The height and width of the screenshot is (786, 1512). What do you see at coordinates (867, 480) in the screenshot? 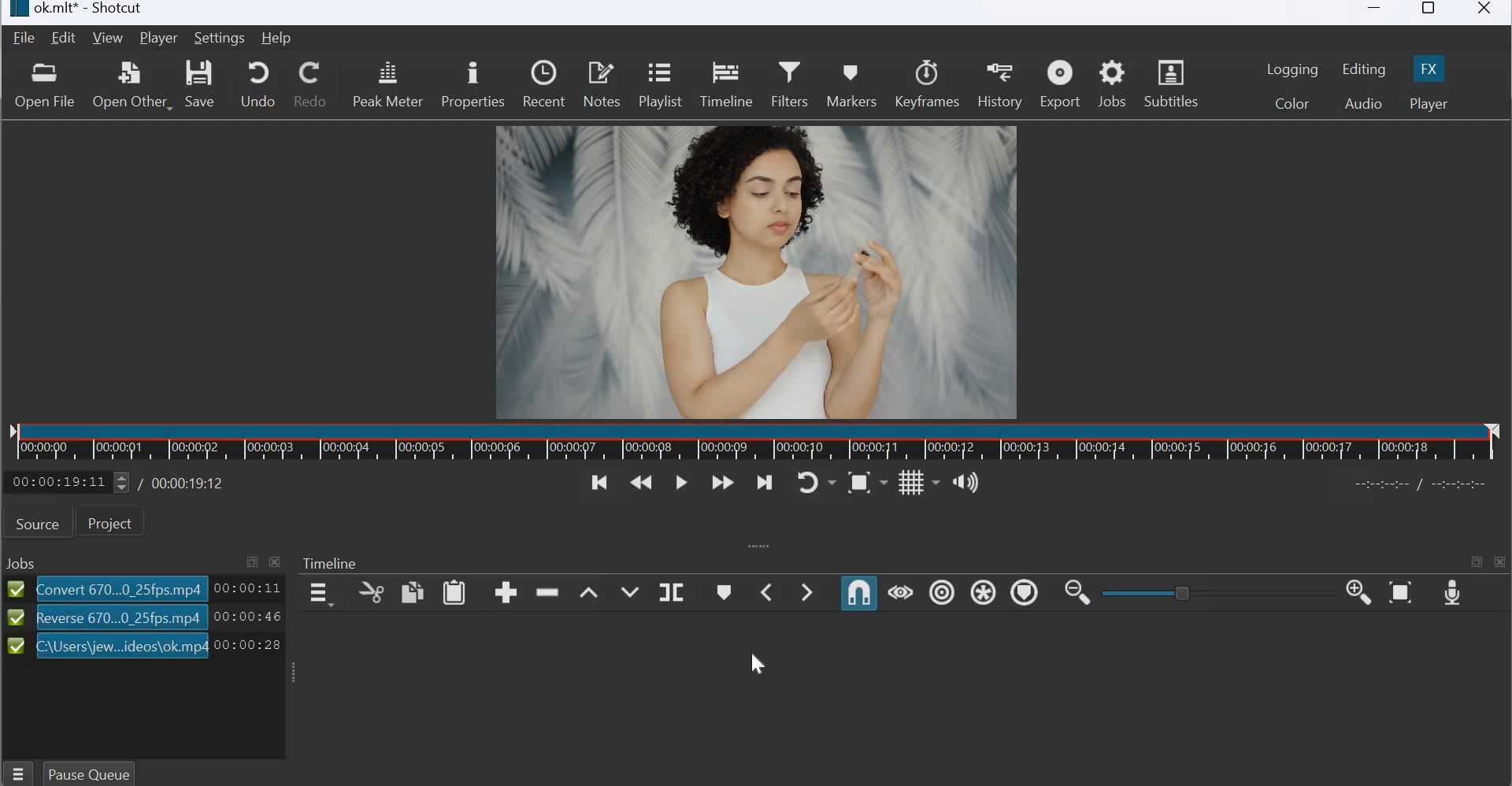
I see `Toggle zoom` at bounding box center [867, 480].